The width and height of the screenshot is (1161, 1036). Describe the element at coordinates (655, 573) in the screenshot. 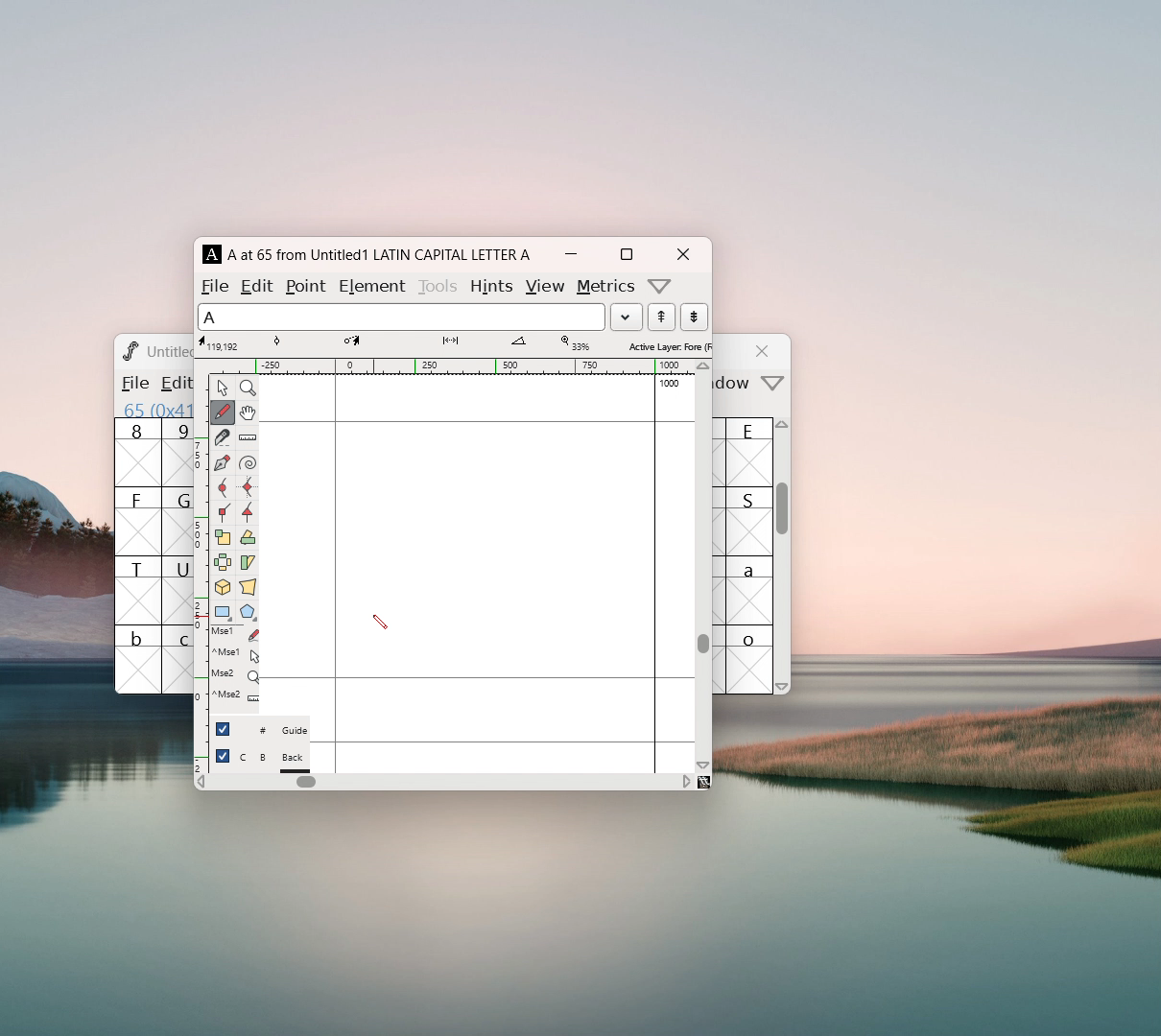

I see `right side bearing` at that location.